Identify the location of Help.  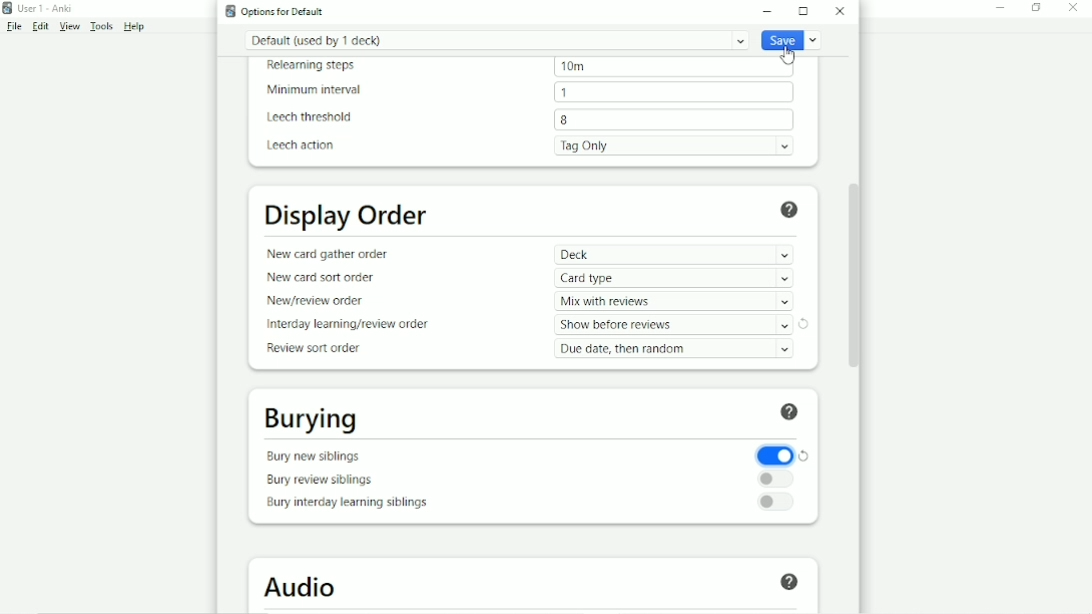
(134, 27).